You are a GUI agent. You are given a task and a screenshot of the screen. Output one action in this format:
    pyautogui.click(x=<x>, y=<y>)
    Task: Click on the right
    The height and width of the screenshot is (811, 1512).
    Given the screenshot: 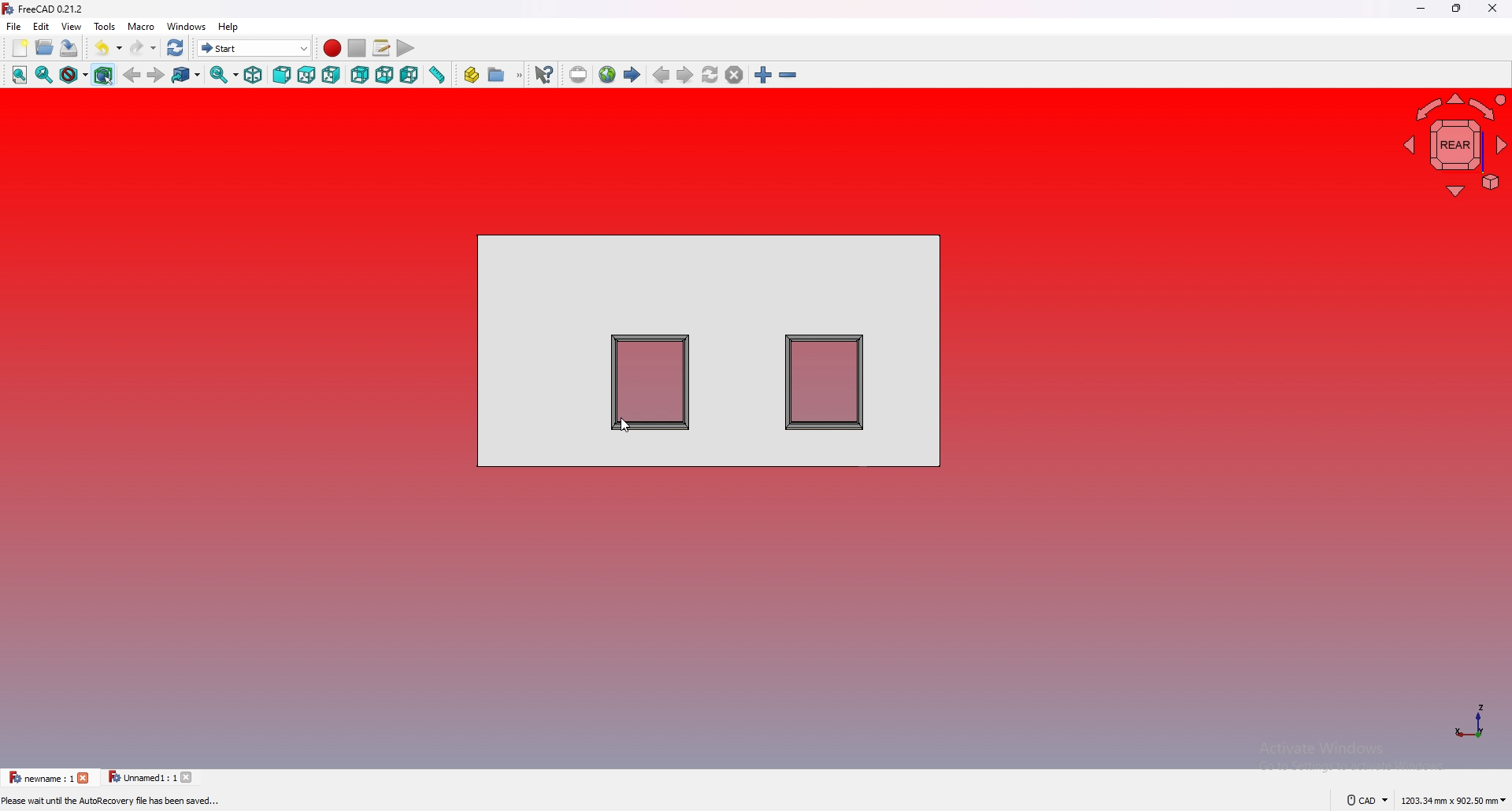 What is the action you would take?
    pyautogui.click(x=332, y=75)
    